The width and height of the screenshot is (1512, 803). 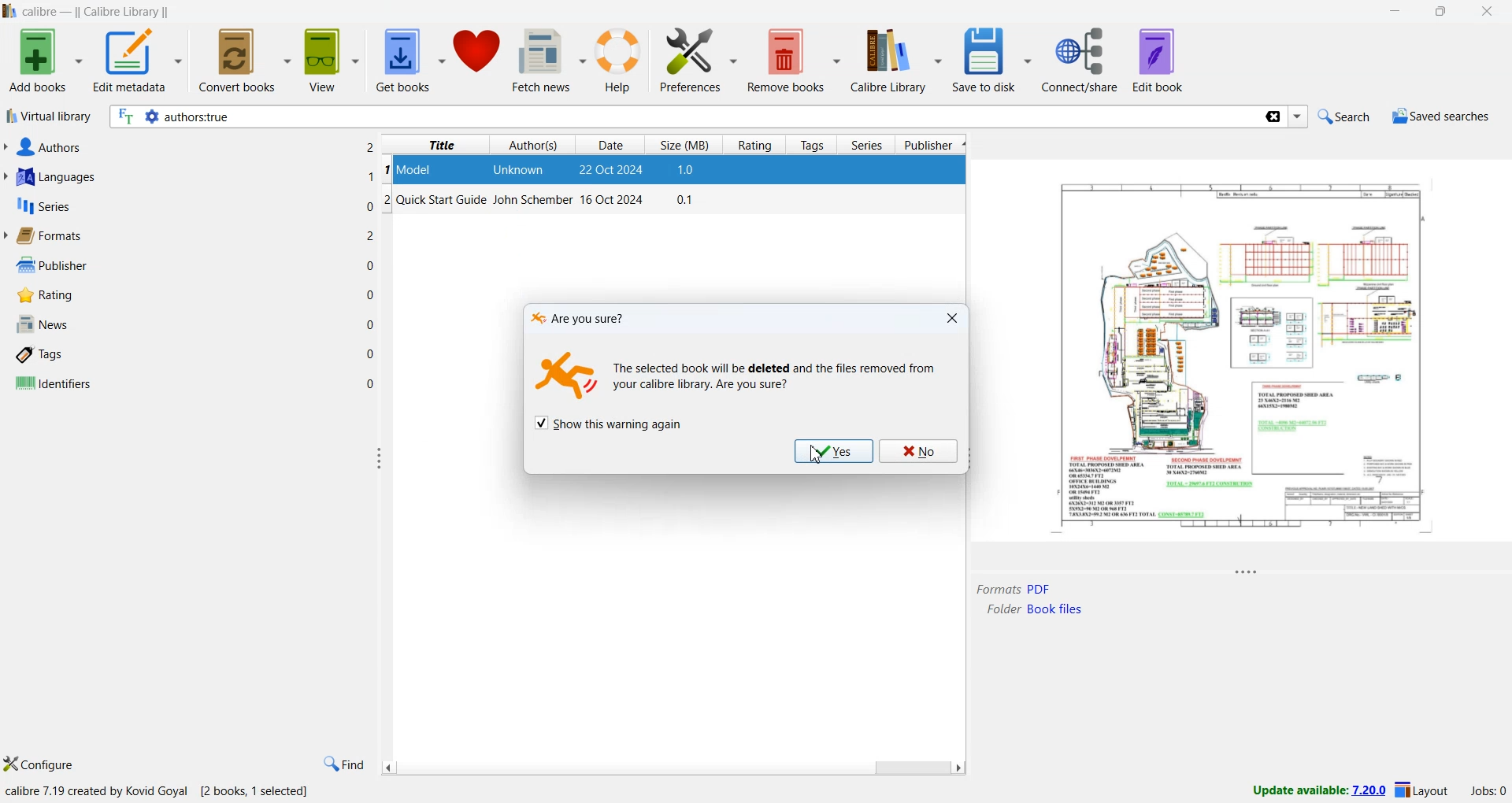 I want to click on File Path location, so click(x=1034, y=609).